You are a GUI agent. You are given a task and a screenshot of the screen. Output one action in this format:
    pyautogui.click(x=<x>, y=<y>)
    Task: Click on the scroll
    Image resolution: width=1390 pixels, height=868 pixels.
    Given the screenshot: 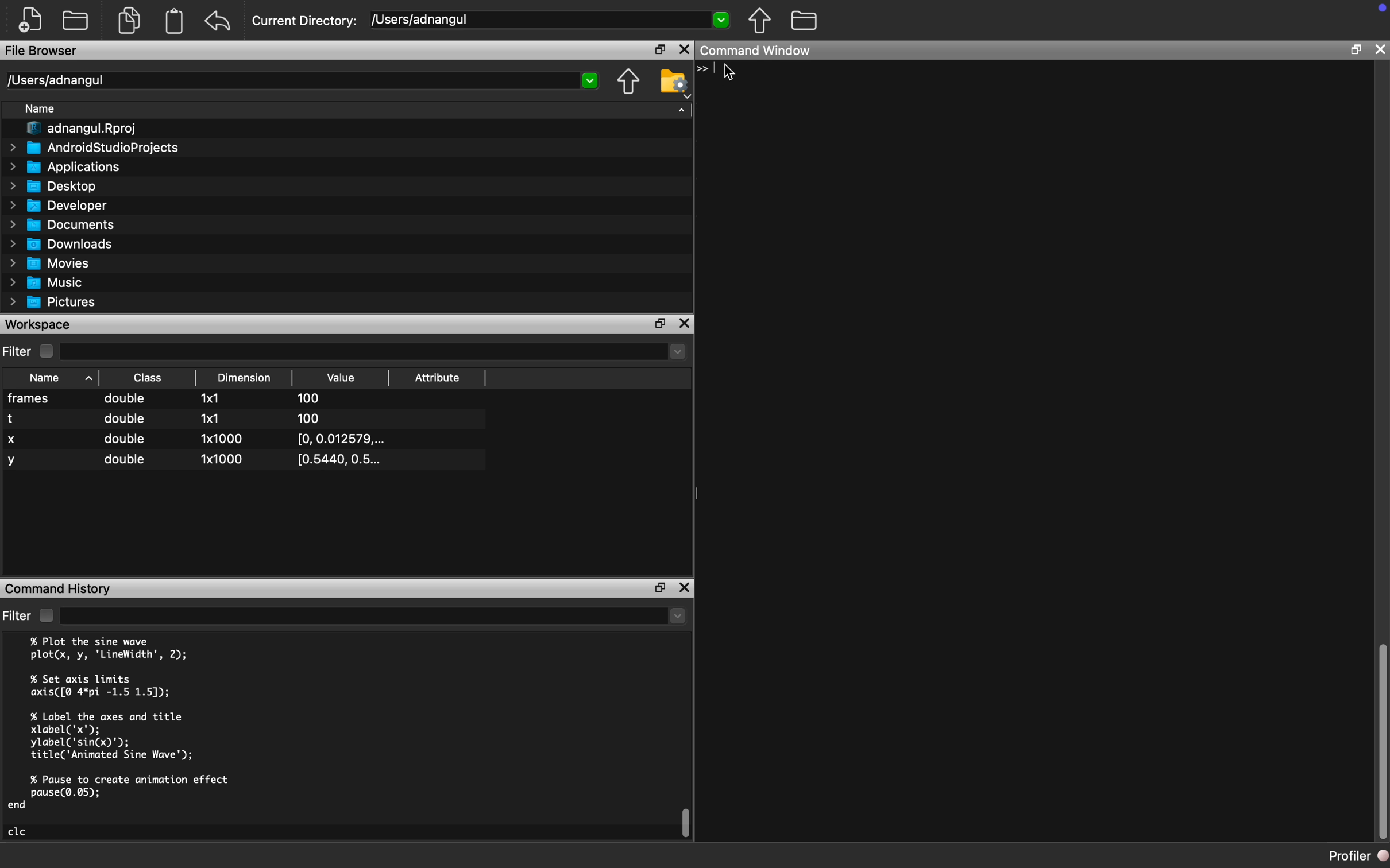 What is the action you would take?
    pyautogui.click(x=687, y=822)
    